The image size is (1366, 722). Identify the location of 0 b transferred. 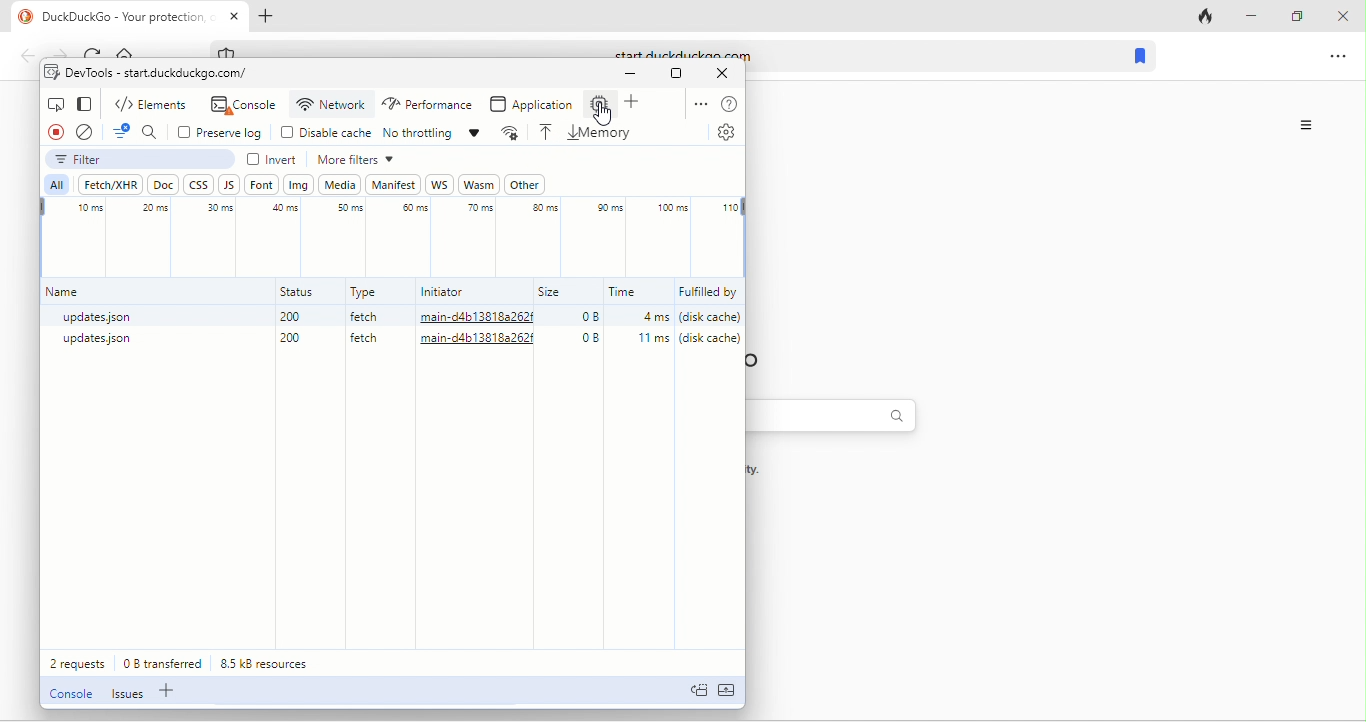
(164, 662).